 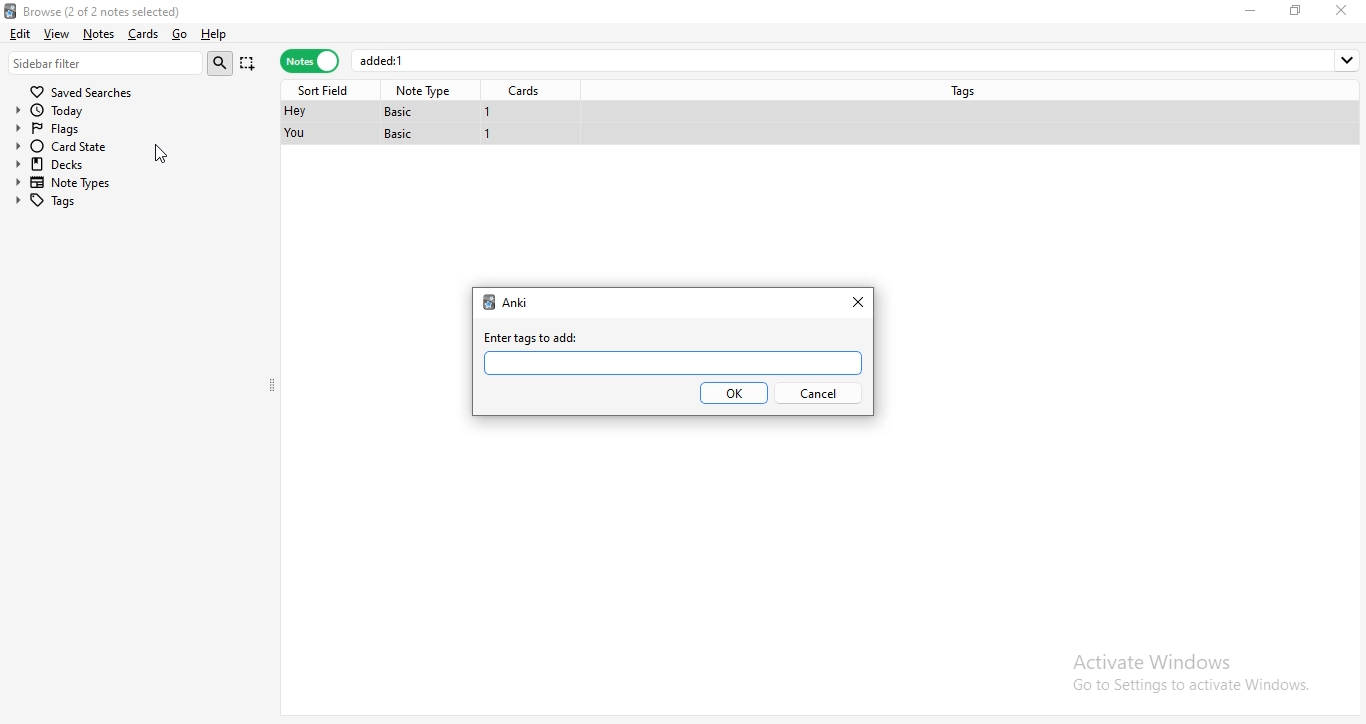 I want to click on sidebar filter, so click(x=106, y=62).